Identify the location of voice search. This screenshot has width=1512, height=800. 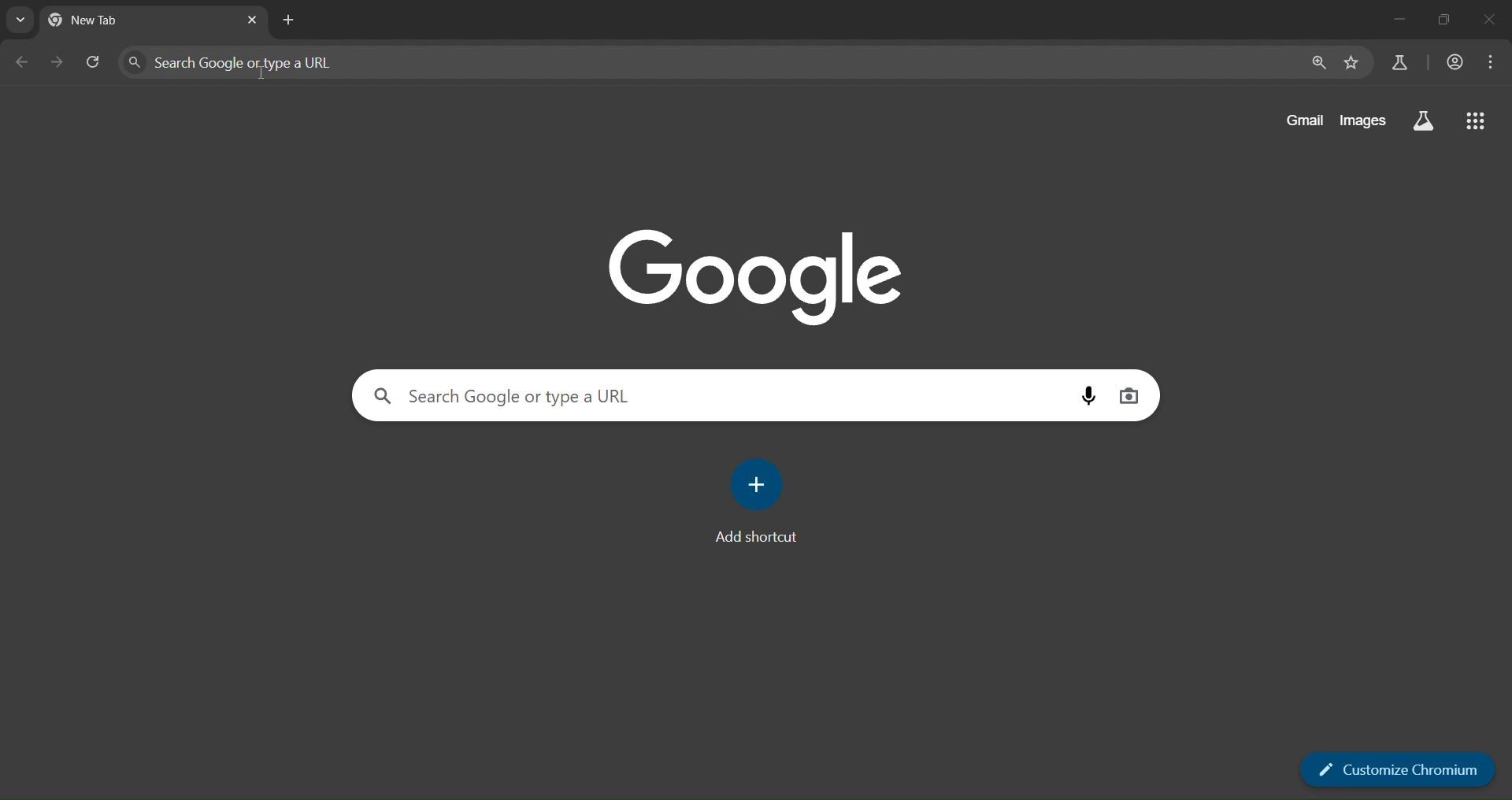
(1085, 395).